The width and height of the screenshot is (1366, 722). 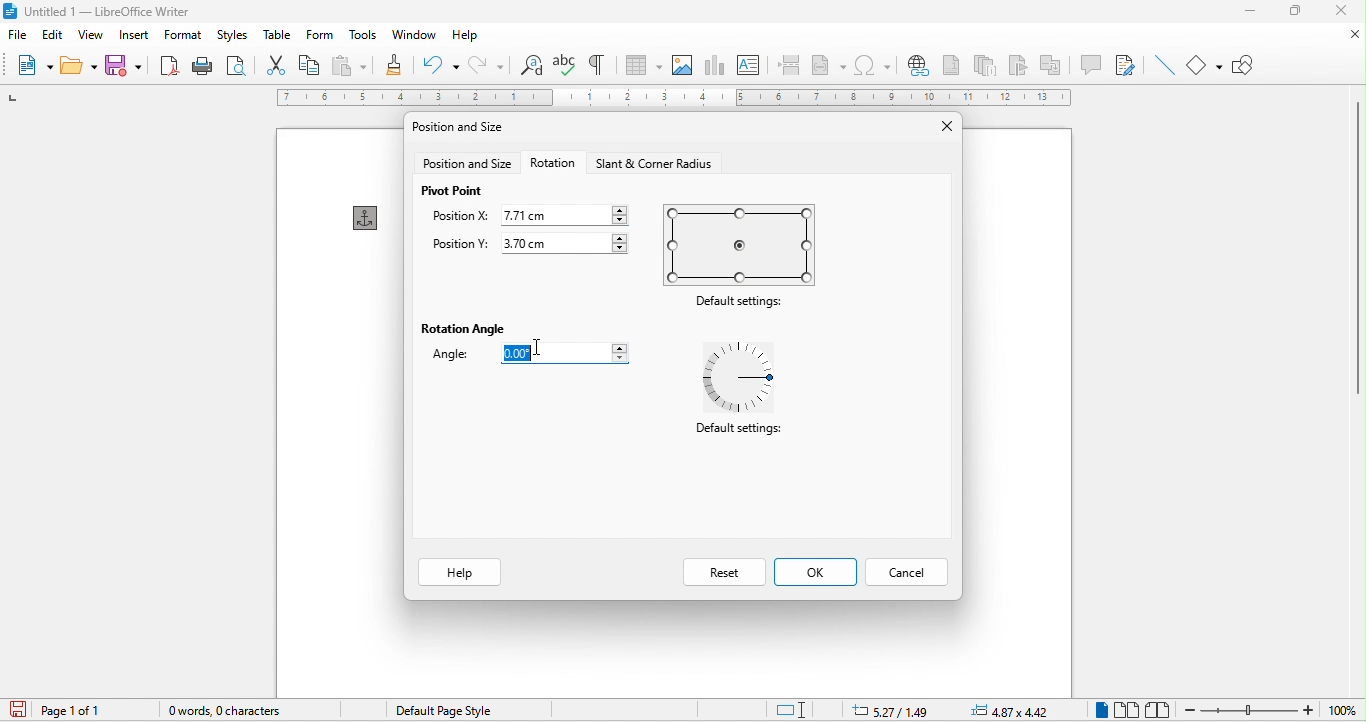 What do you see at coordinates (126, 63) in the screenshot?
I see `save` at bounding box center [126, 63].